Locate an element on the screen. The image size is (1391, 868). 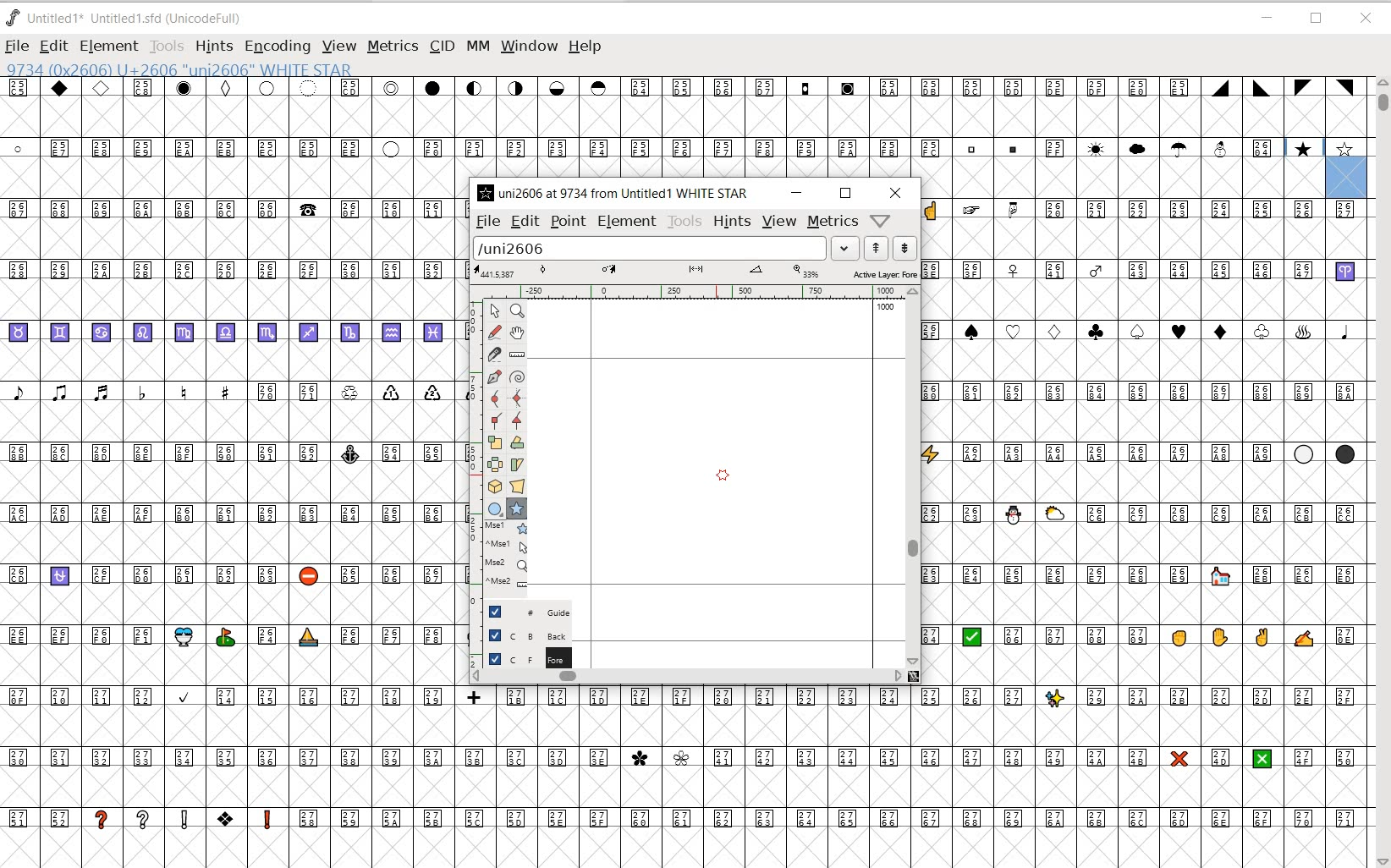
SELECT THE SELECTION is located at coordinates (494, 444).